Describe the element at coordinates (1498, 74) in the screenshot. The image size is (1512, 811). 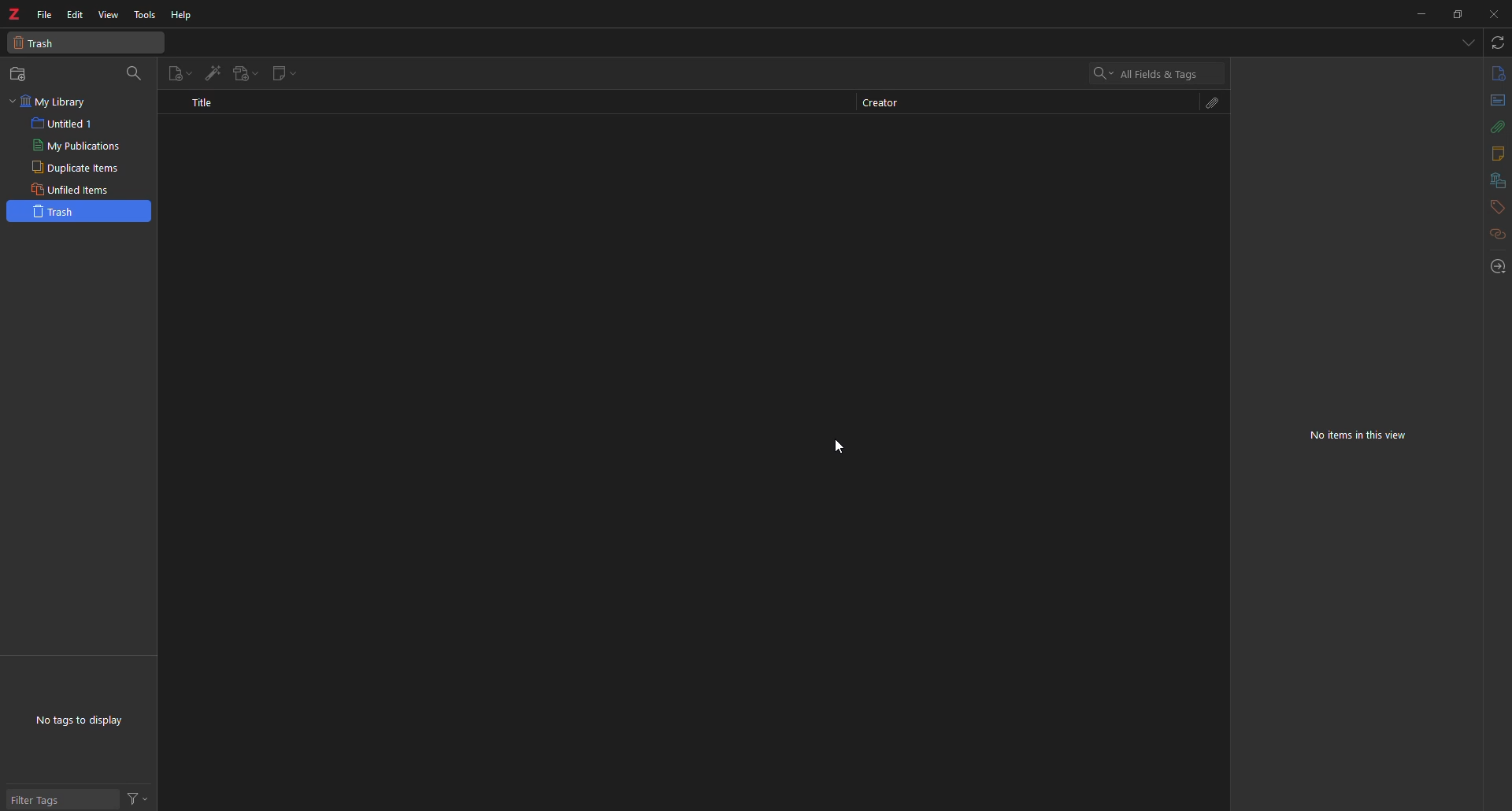
I see `info` at that location.